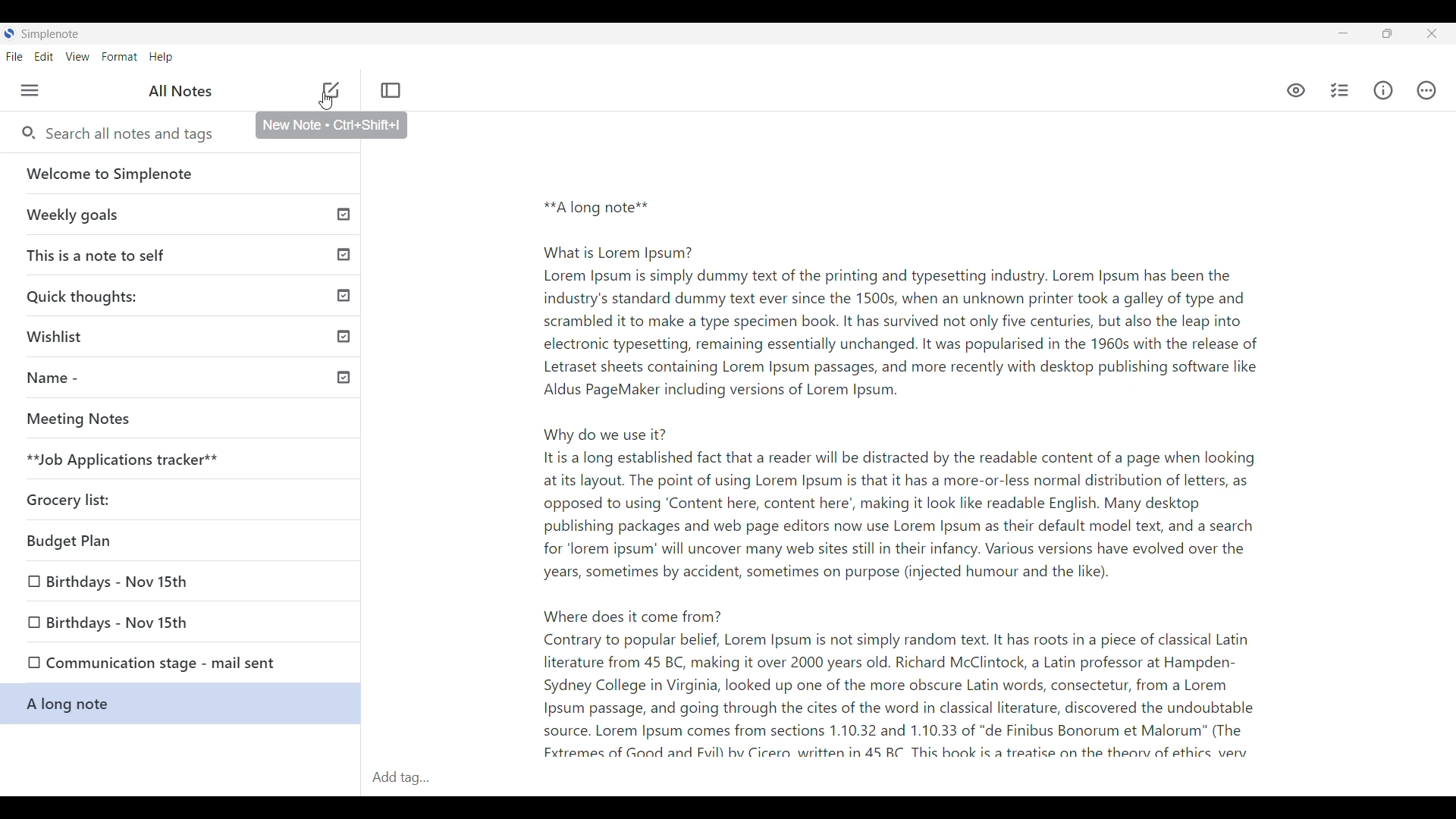  I want to click on Info, so click(1383, 90).